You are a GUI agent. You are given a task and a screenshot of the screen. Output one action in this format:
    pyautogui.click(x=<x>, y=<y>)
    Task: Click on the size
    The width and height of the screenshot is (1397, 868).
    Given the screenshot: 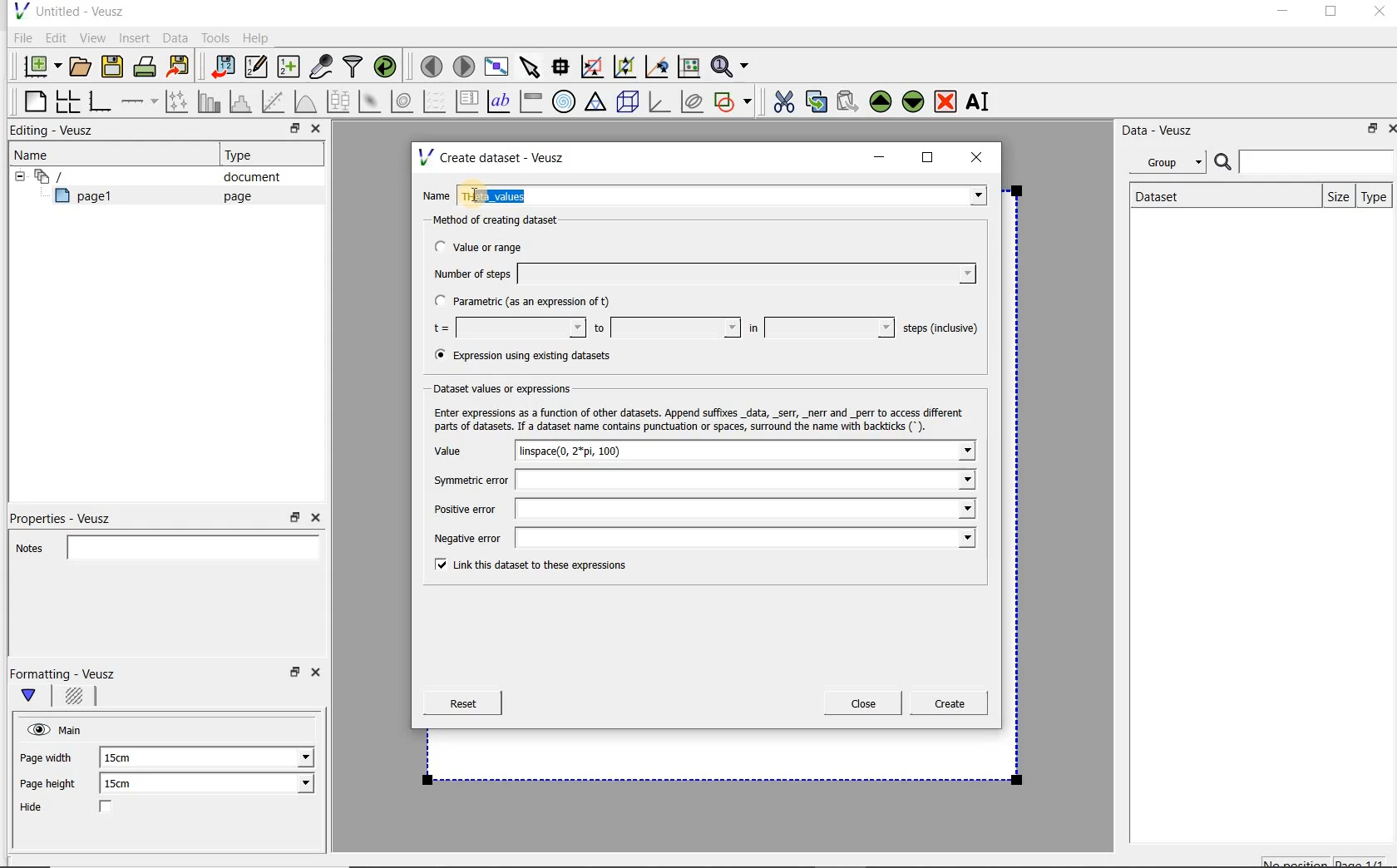 What is the action you would take?
    pyautogui.click(x=1335, y=195)
    